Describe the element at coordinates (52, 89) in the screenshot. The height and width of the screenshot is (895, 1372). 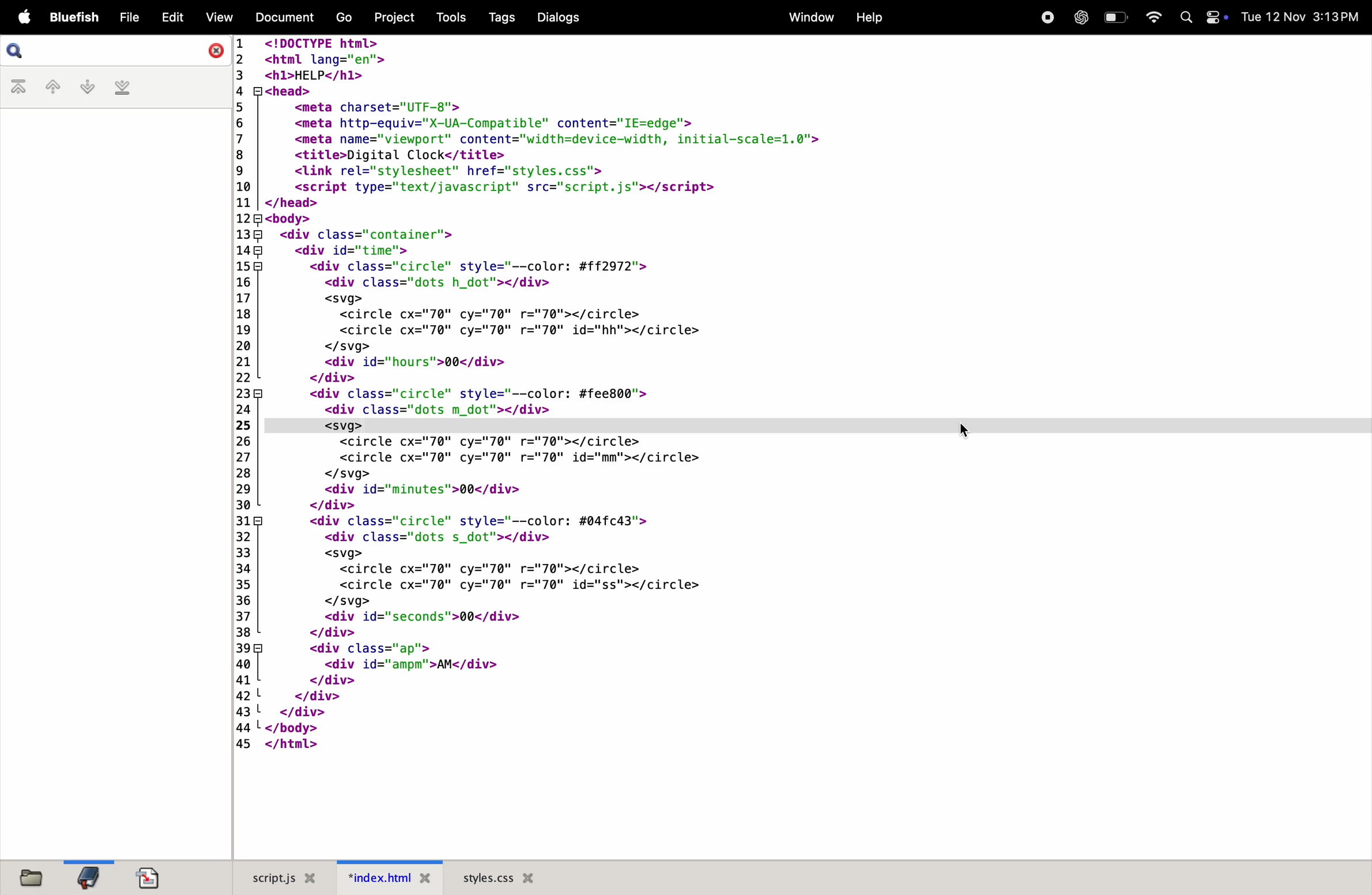
I see `previous book mark` at that location.